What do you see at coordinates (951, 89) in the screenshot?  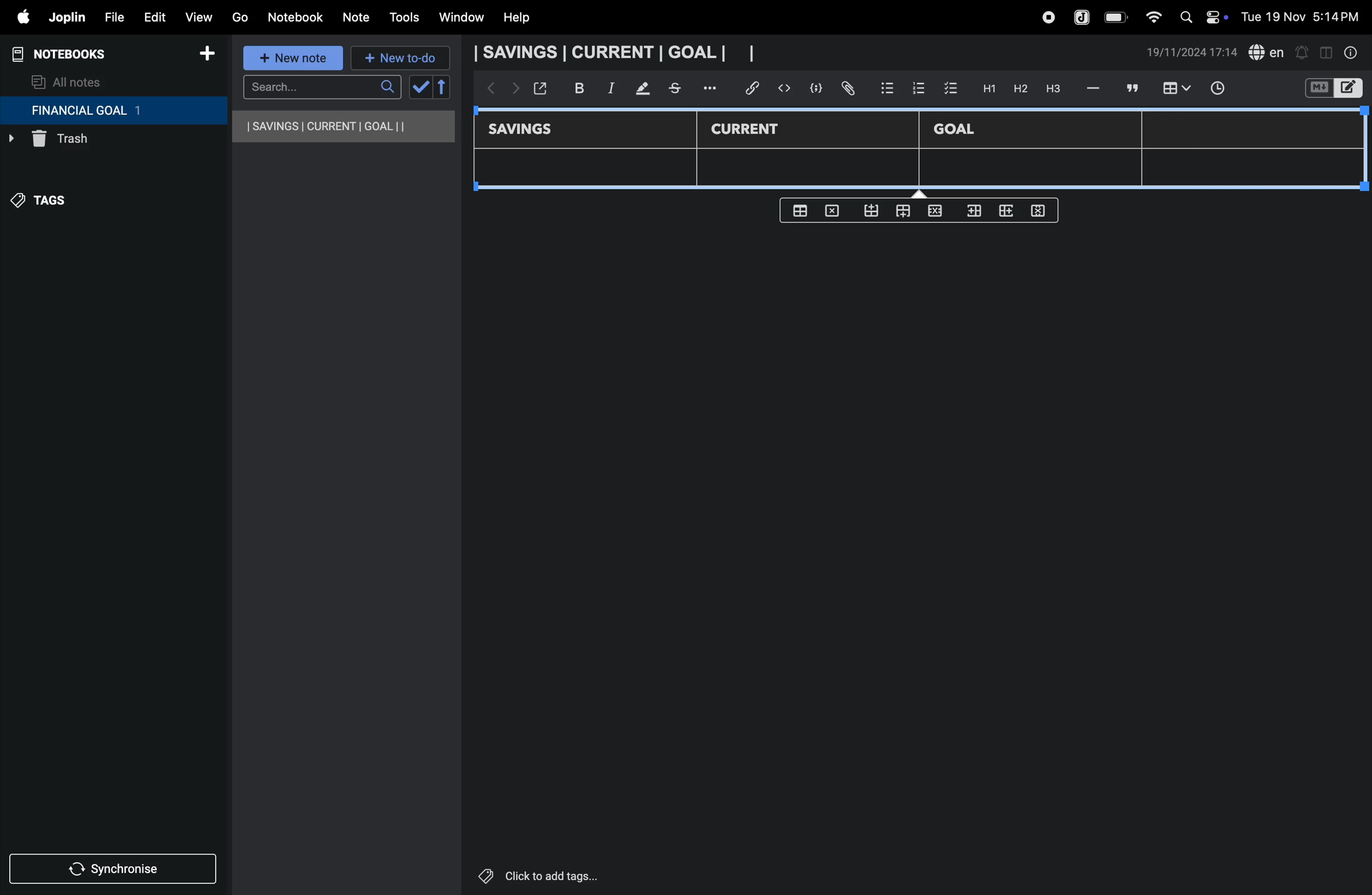 I see `check box` at bounding box center [951, 89].